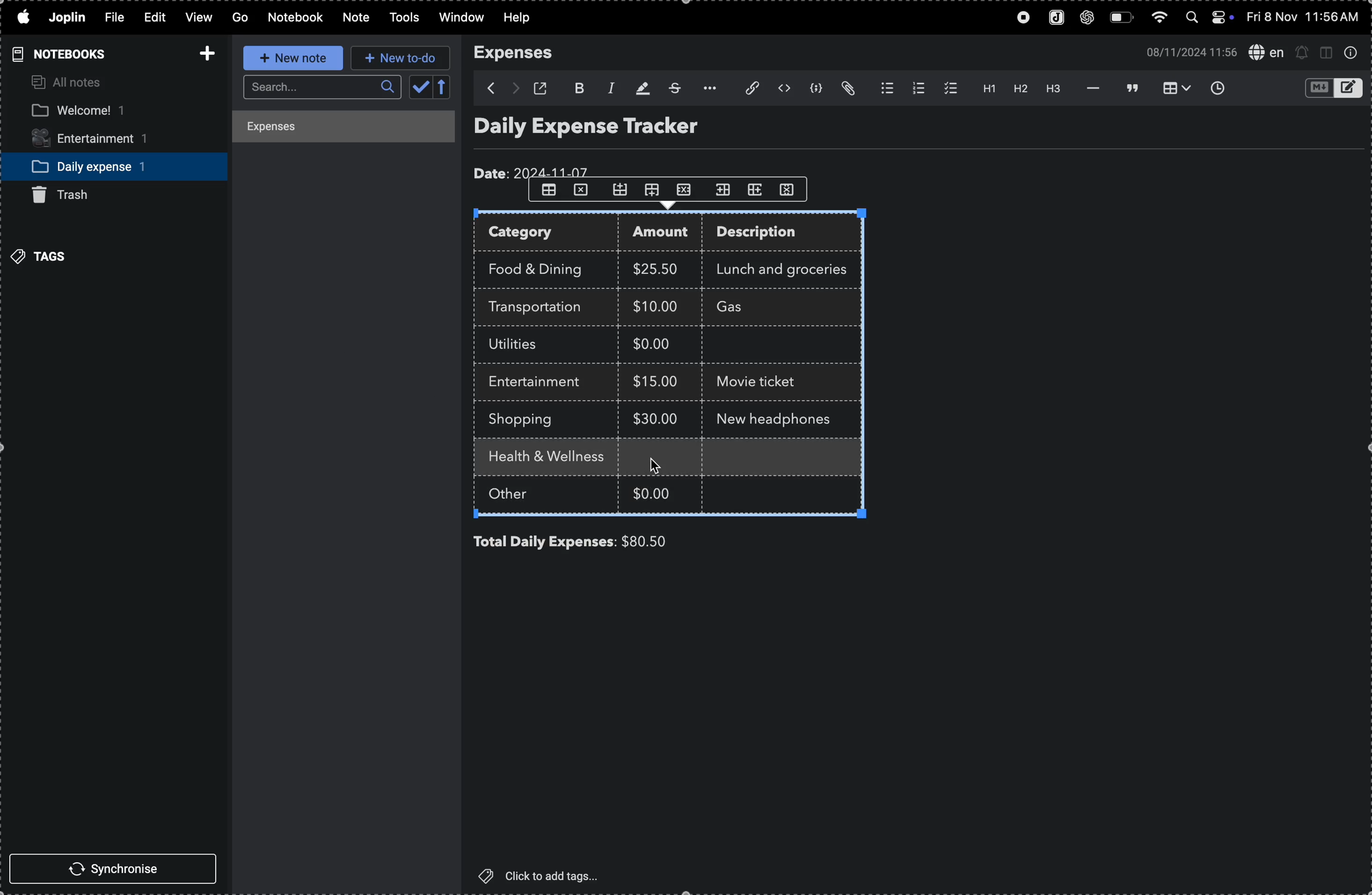 Image resolution: width=1372 pixels, height=895 pixels. I want to click on forward, so click(514, 89).